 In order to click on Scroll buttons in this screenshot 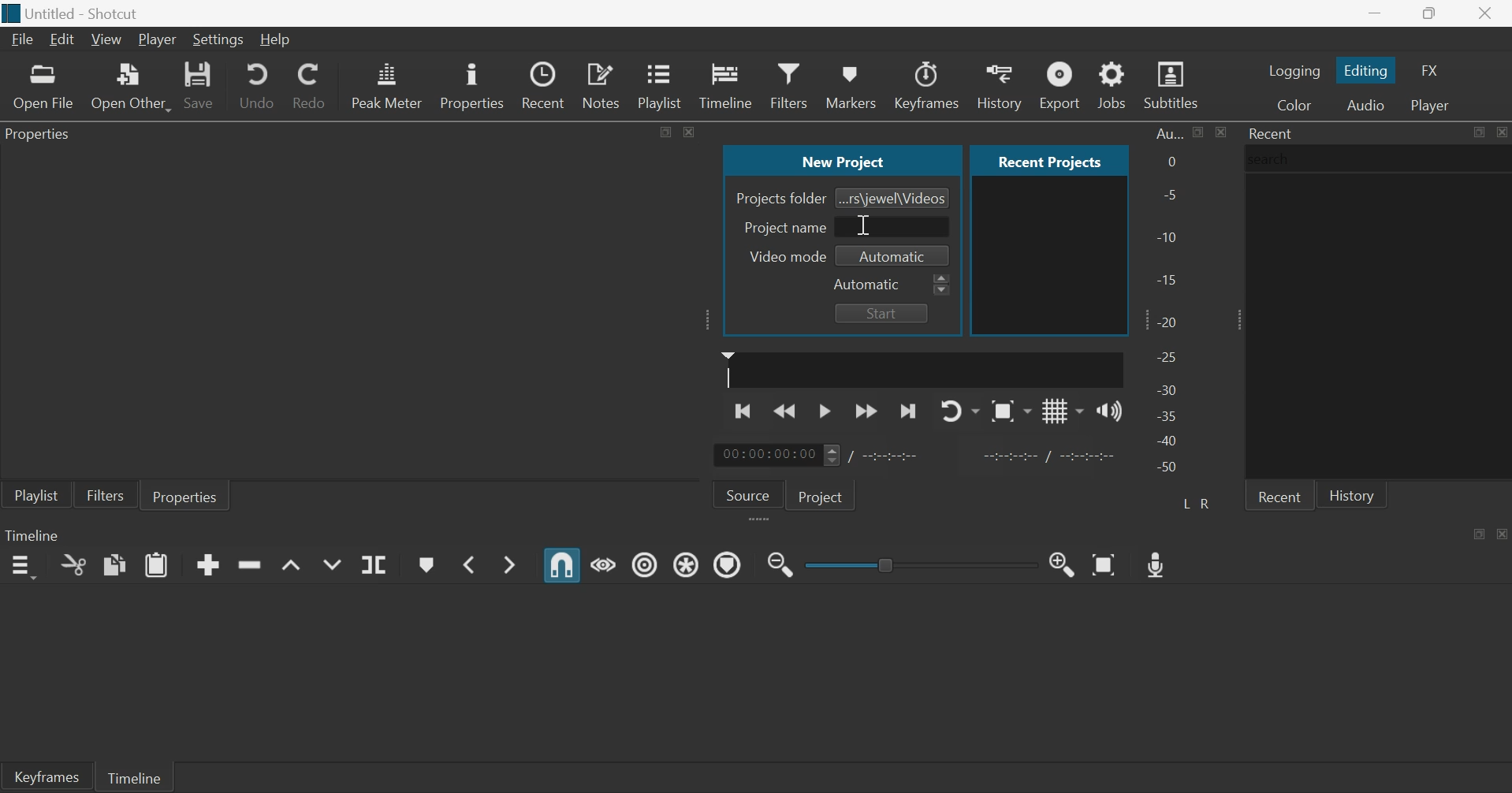, I will do `click(831, 455)`.